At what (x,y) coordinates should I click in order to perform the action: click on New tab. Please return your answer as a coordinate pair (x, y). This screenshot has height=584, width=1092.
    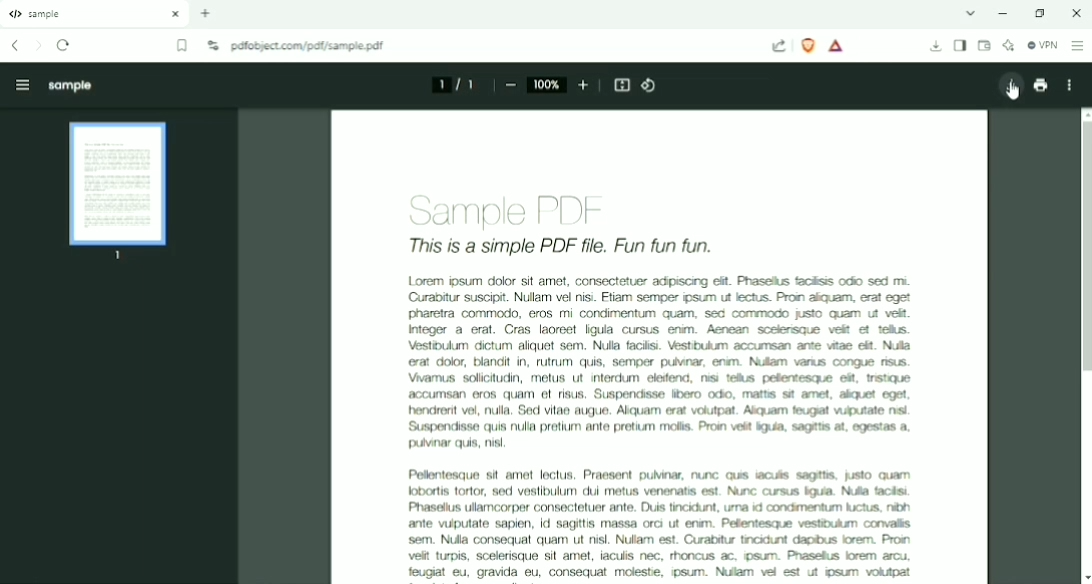
    Looking at the image, I should click on (206, 13).